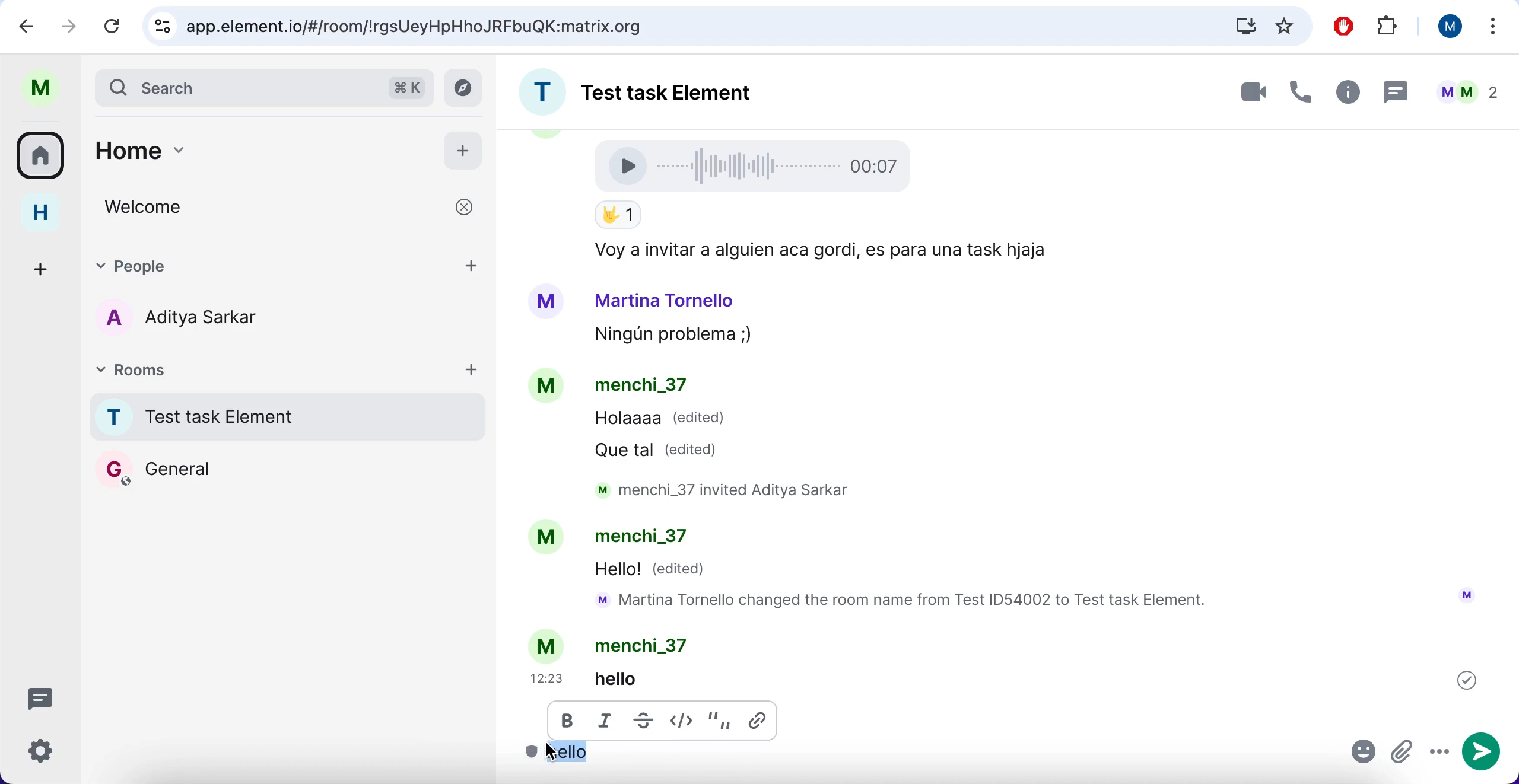 The height and width of the screenshot is (784, 1519). What do you see at coordinates (253, 264) in the screenshot?
I see `people` at bounding box center [253, 264].